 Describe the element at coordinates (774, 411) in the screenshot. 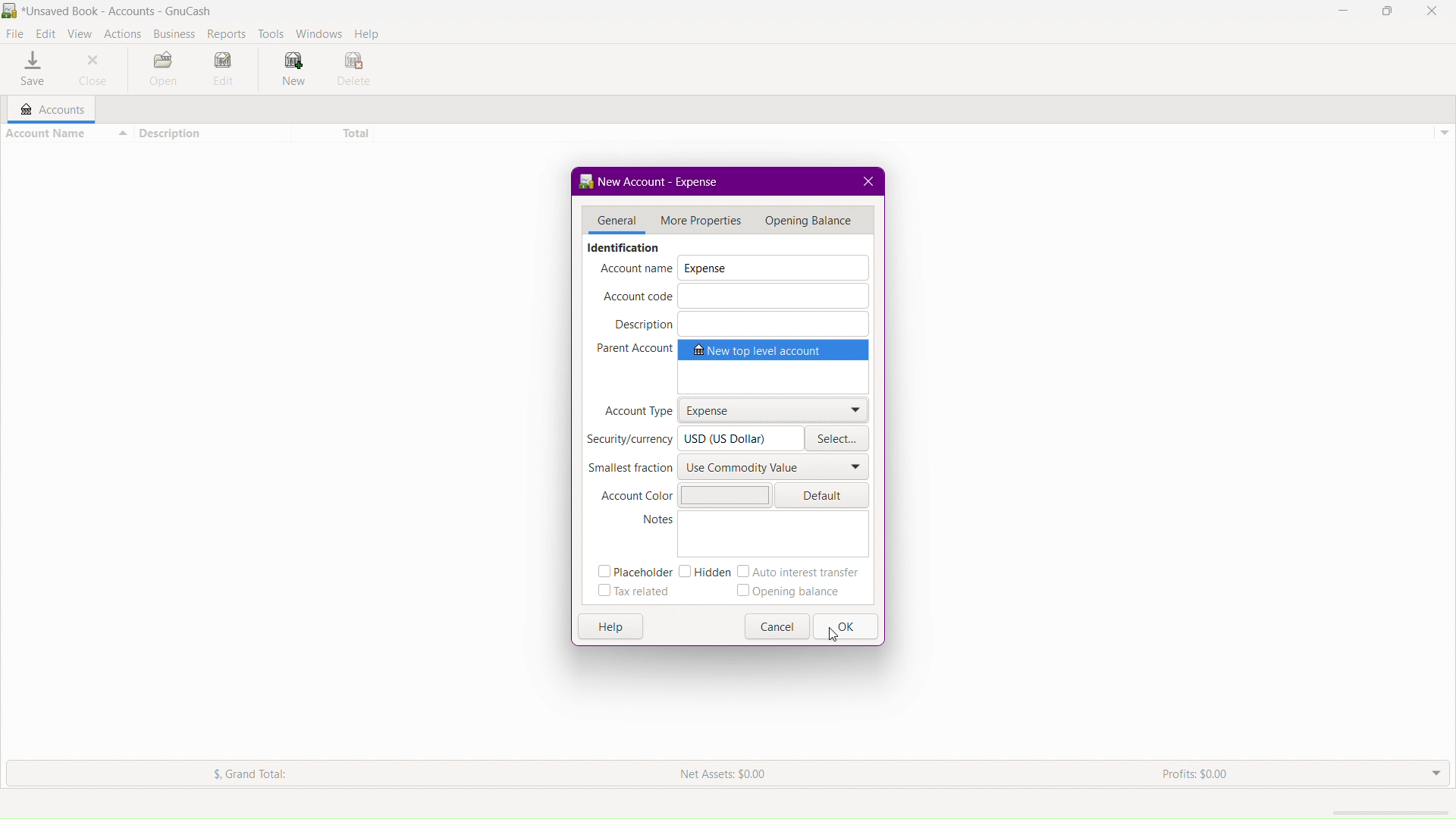

I see `Expense` at that location.